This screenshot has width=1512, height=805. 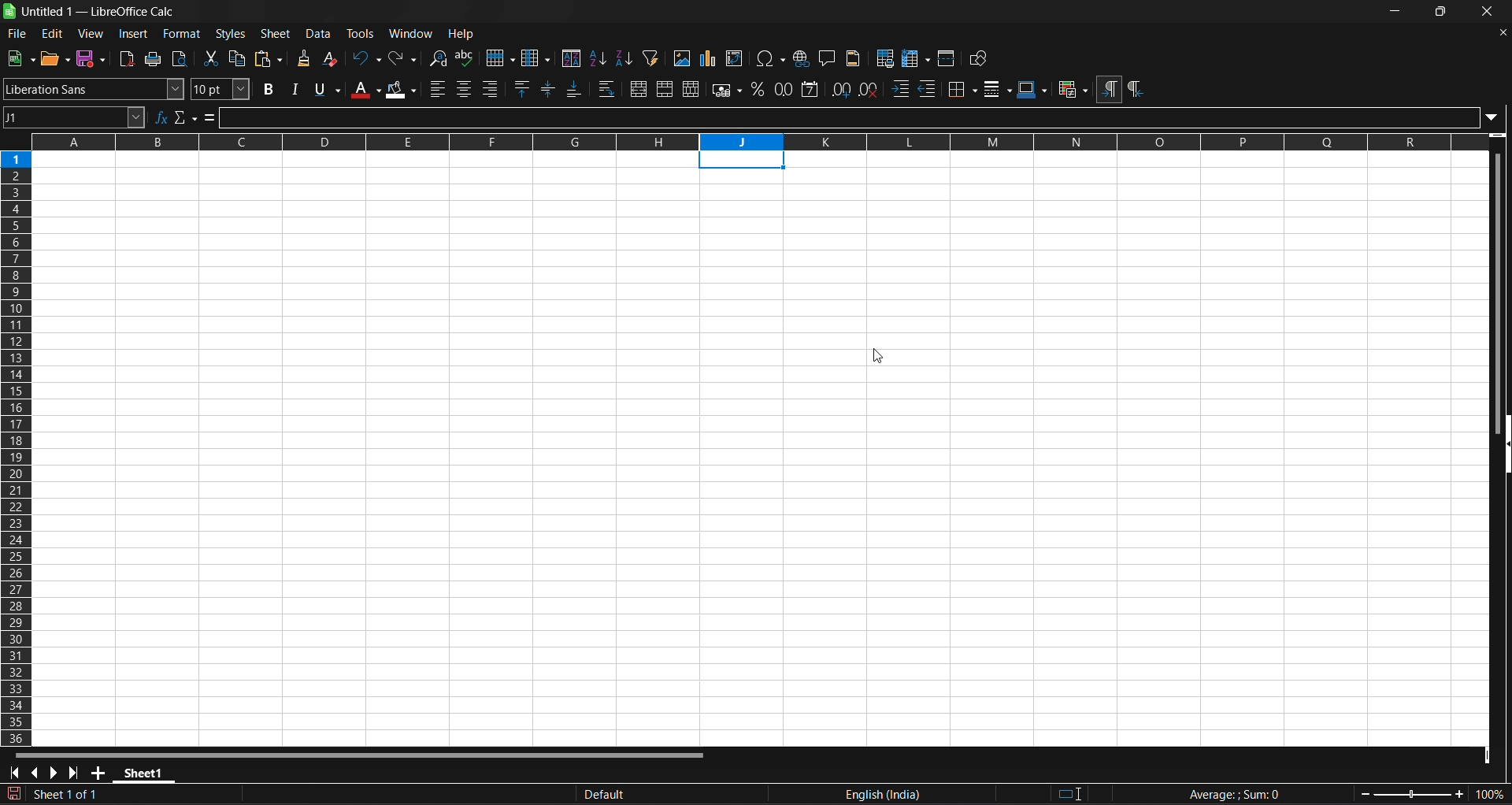 I want to click on rows, so click(x=764, y=142).